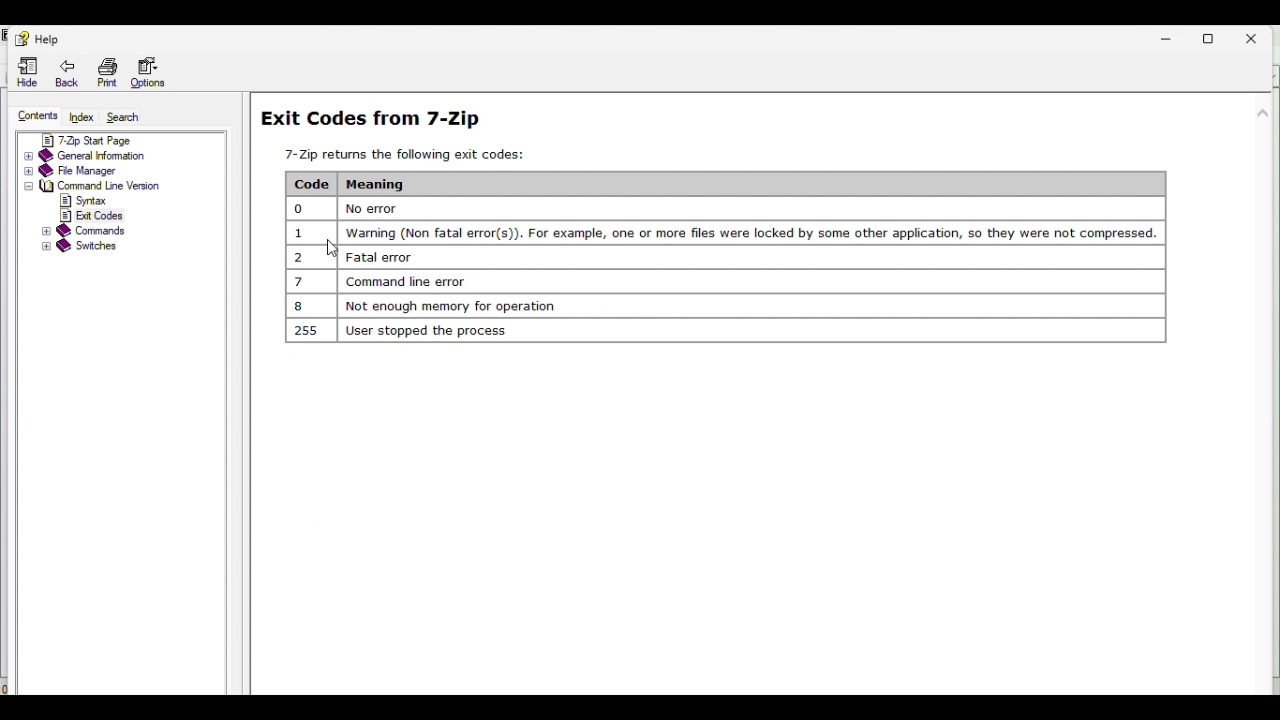 Image resolution: width=1280 pixels, height=720 pixels. I want to click on Help, so click(37, 37).